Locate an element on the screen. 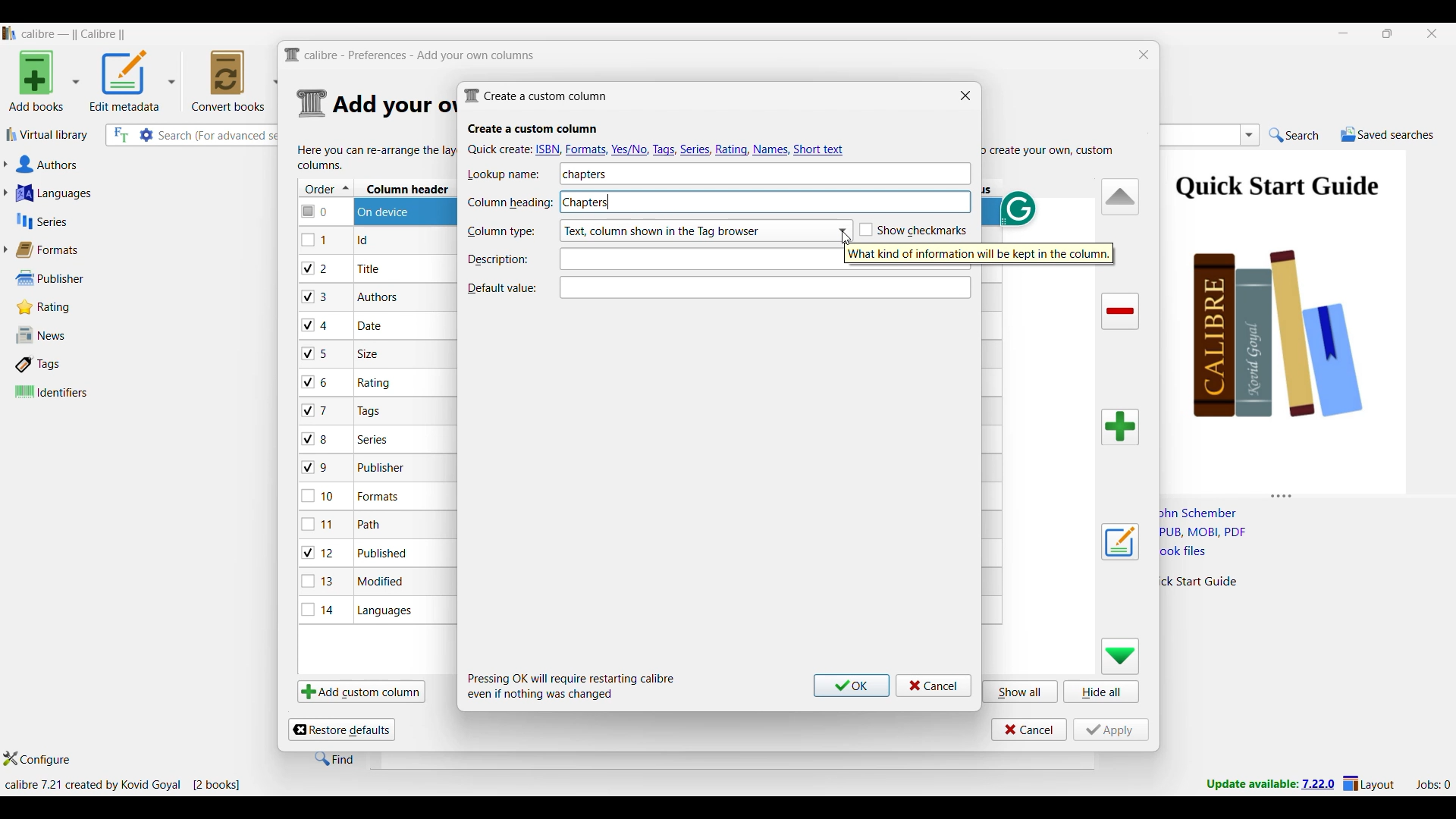 Image resolution: width=1456 pixels, height=819 pixels. Search is located at coordinates (1294, 136).